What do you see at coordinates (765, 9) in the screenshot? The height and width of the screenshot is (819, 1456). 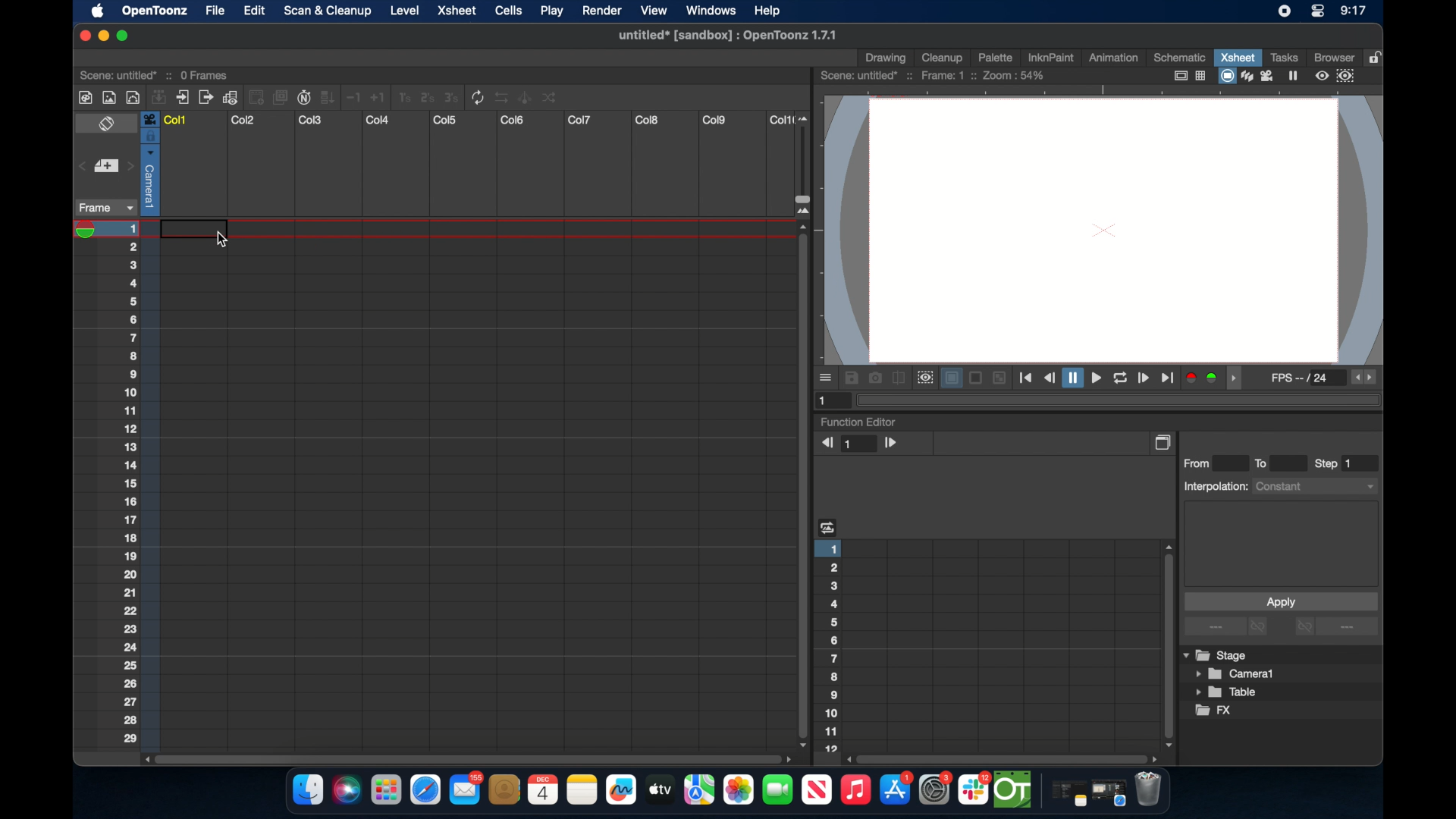 I see `help` at bounding box center [765, 9].